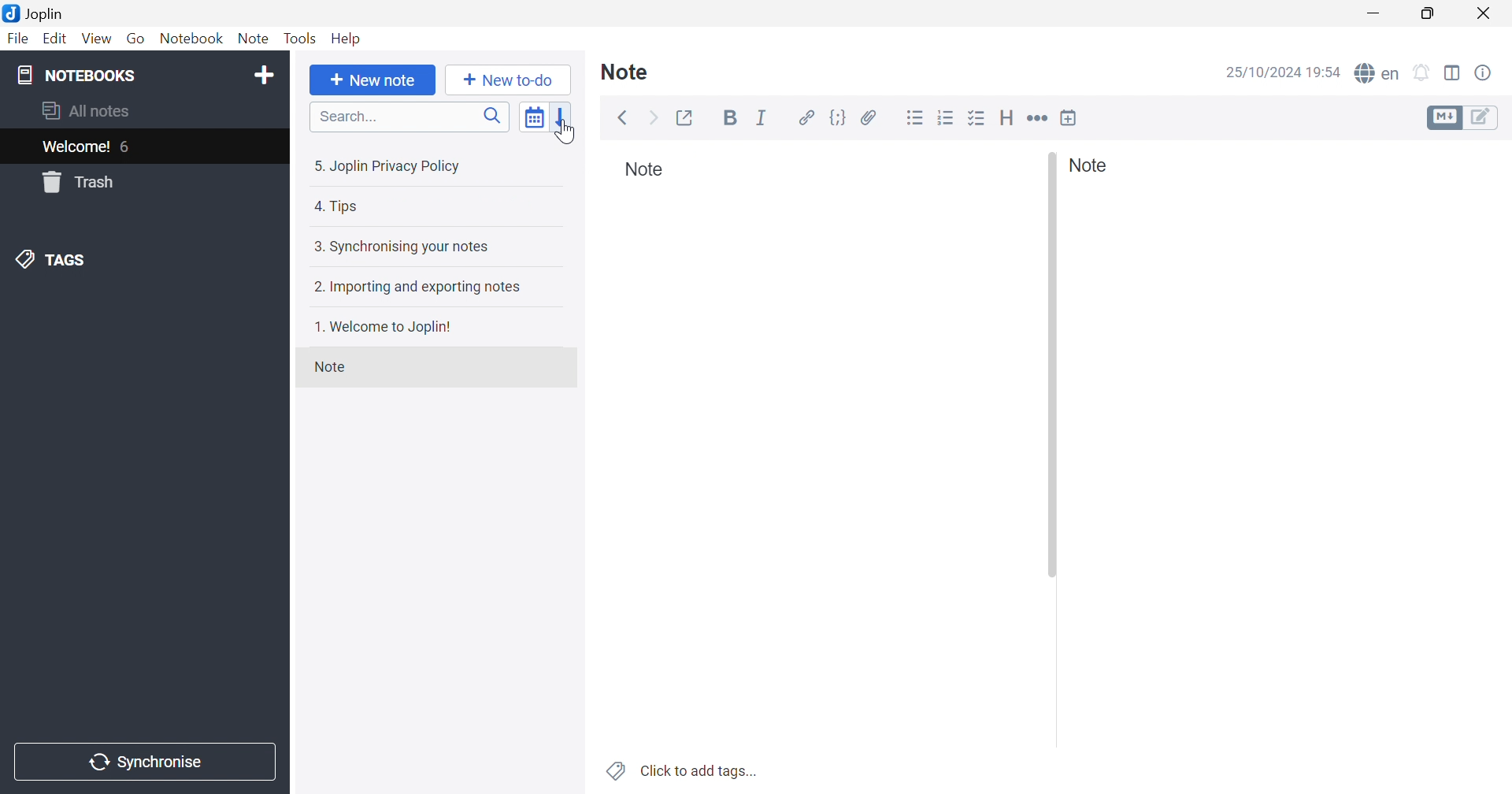 This screenshot has width=1512, height=794. What do you see at coordinates (1262, 73) in the screenshot?
I see `25/10/2024` at bounding box center [1262, 73].